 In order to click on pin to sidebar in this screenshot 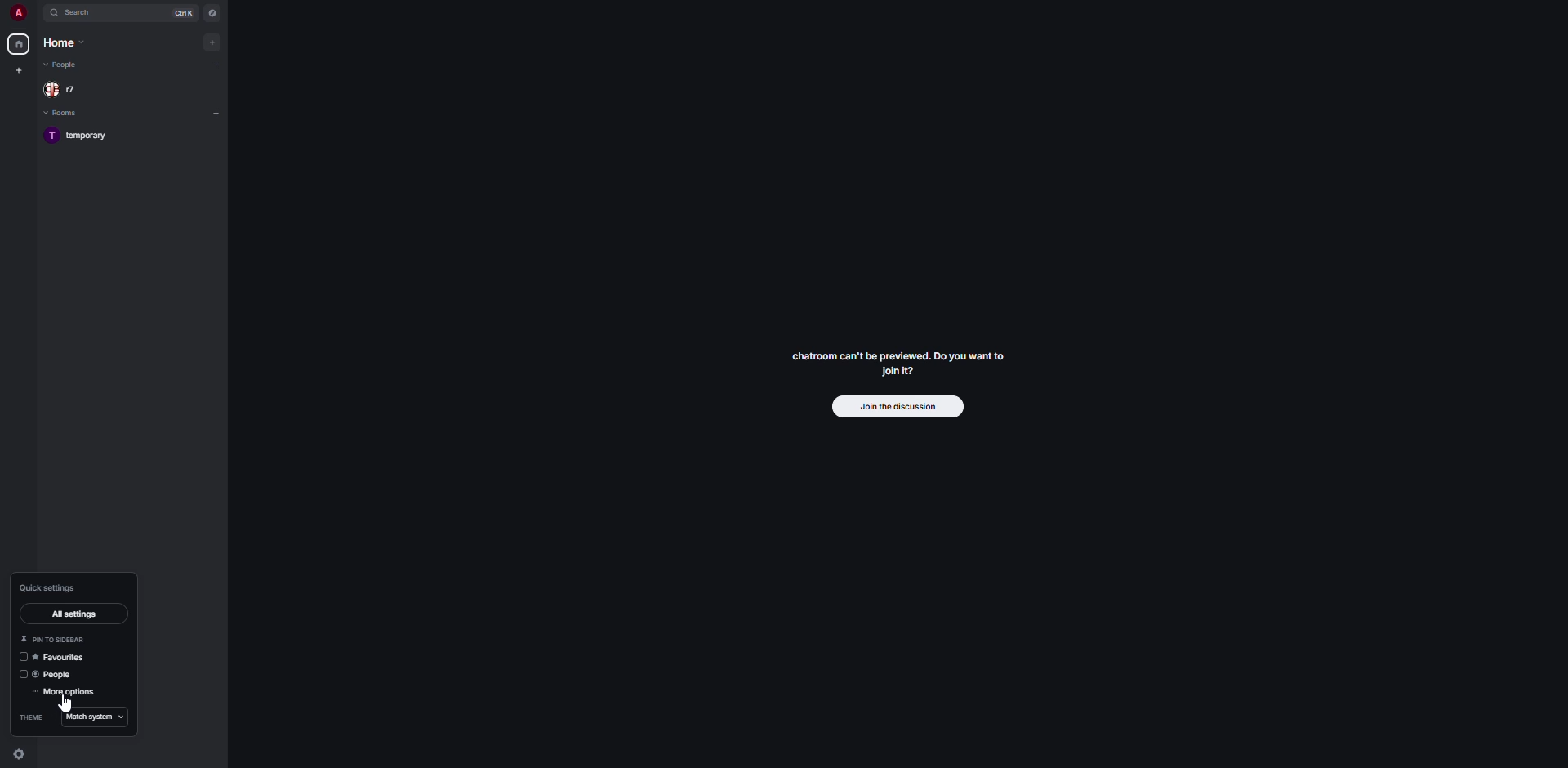, I will do `click(52, 638)`.